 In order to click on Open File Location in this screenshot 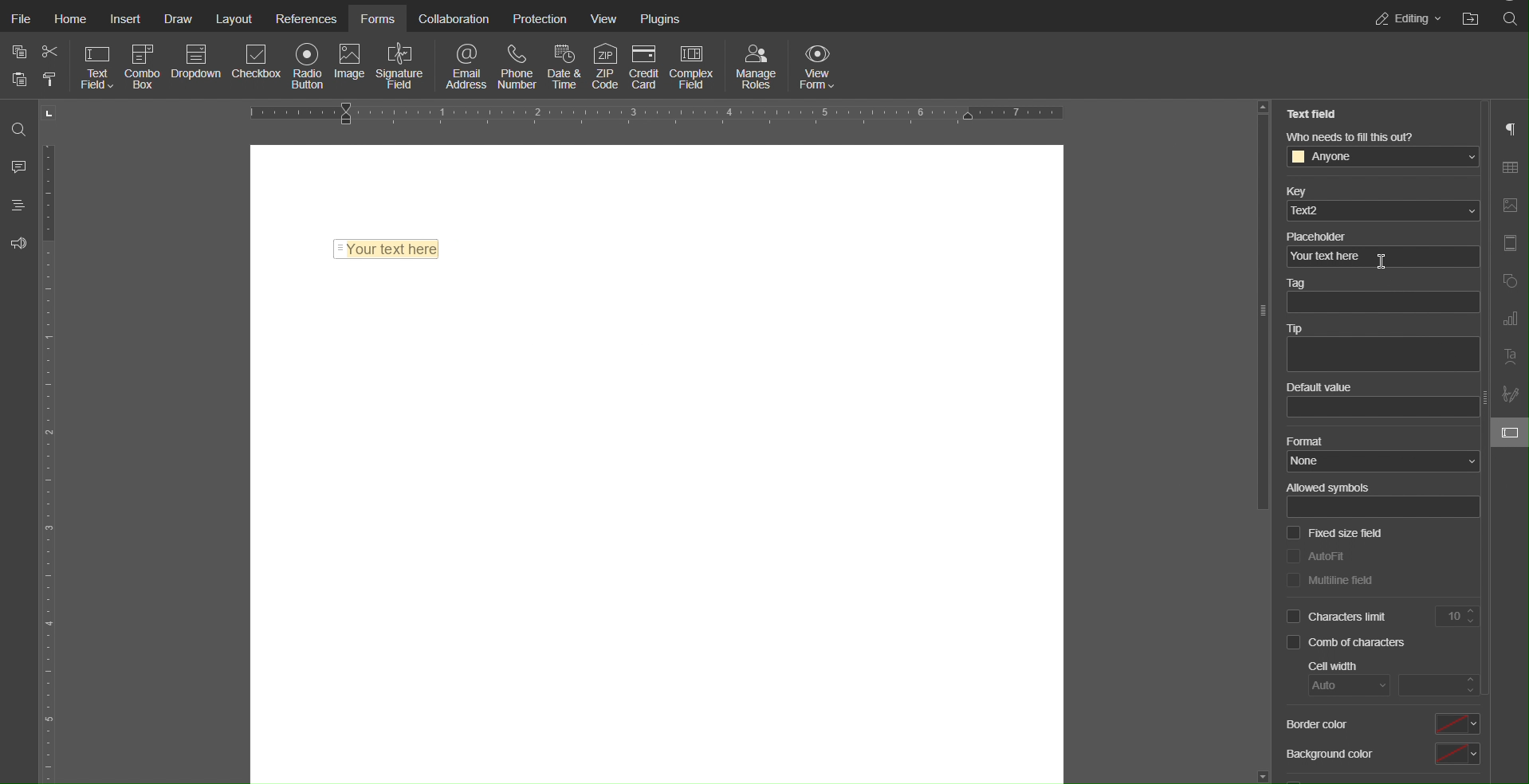, I will do `click(1472, 17)`.